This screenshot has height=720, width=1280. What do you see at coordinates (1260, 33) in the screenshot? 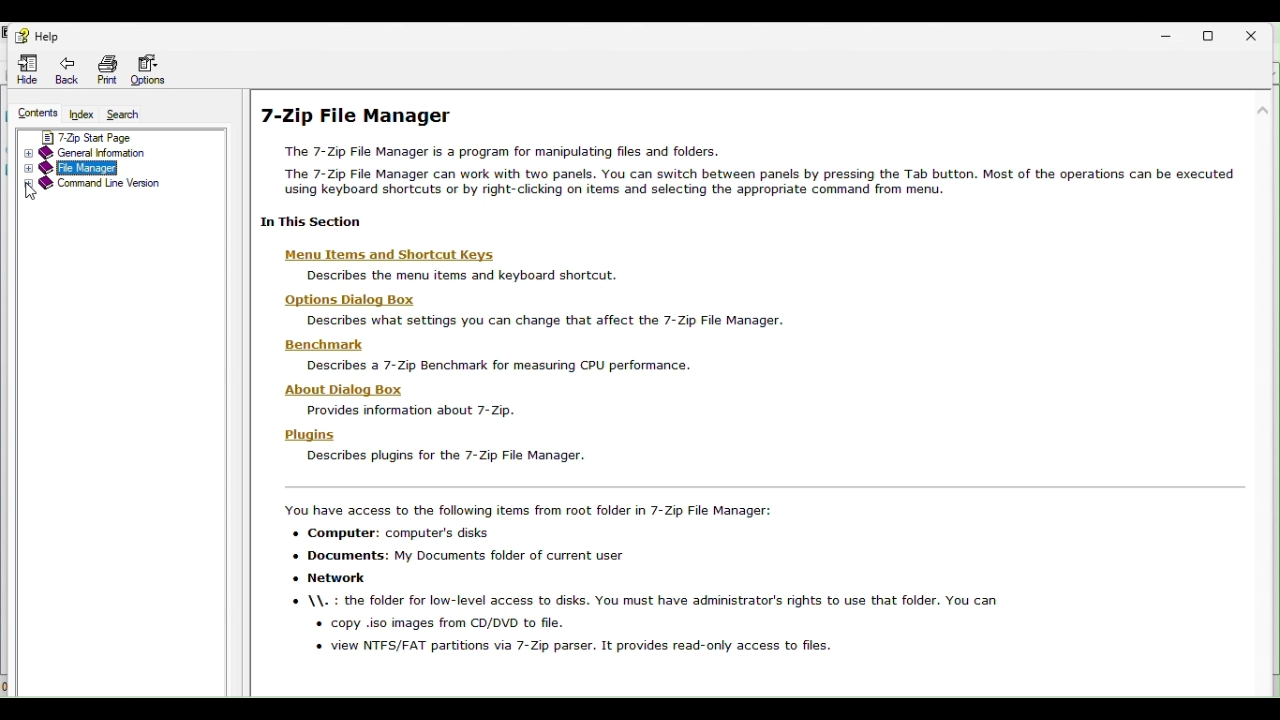
I see `Close` at bounding box center [1260, 33].